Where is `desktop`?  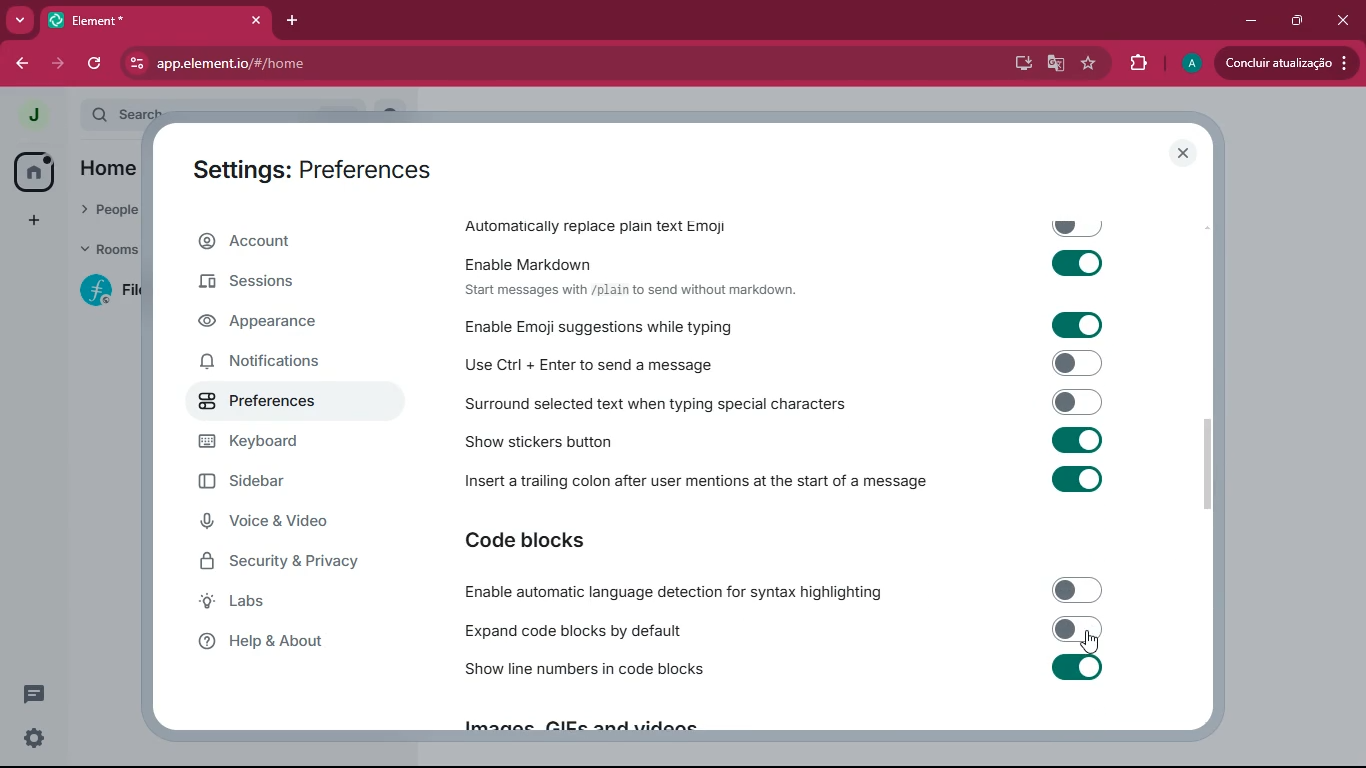
desktop is located at coordinates (1020, 62).